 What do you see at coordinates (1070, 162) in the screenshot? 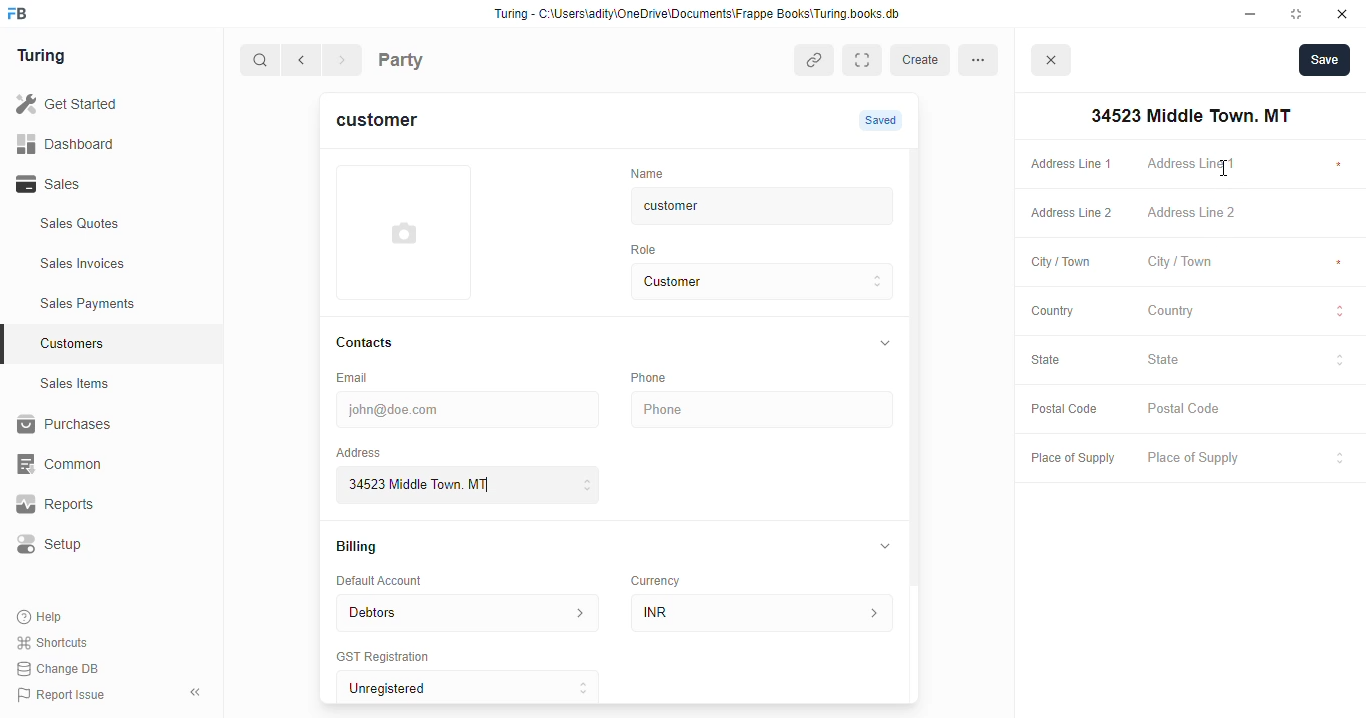
I see `Address Line 1` at bounding box center [1070, 162].